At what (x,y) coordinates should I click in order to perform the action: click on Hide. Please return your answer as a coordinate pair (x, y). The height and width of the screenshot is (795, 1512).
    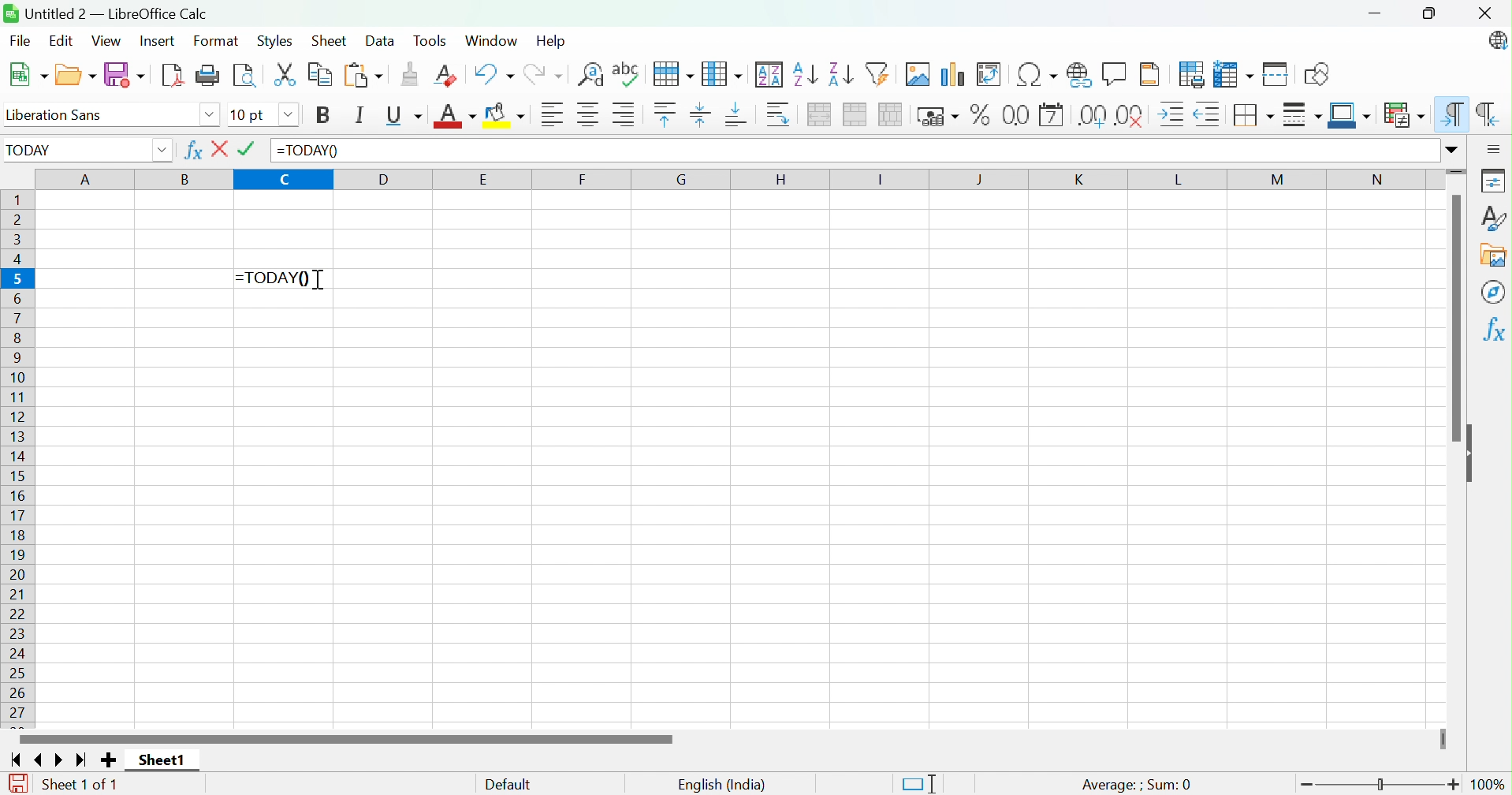
    Looking at the image, I should click on (1473, 455).